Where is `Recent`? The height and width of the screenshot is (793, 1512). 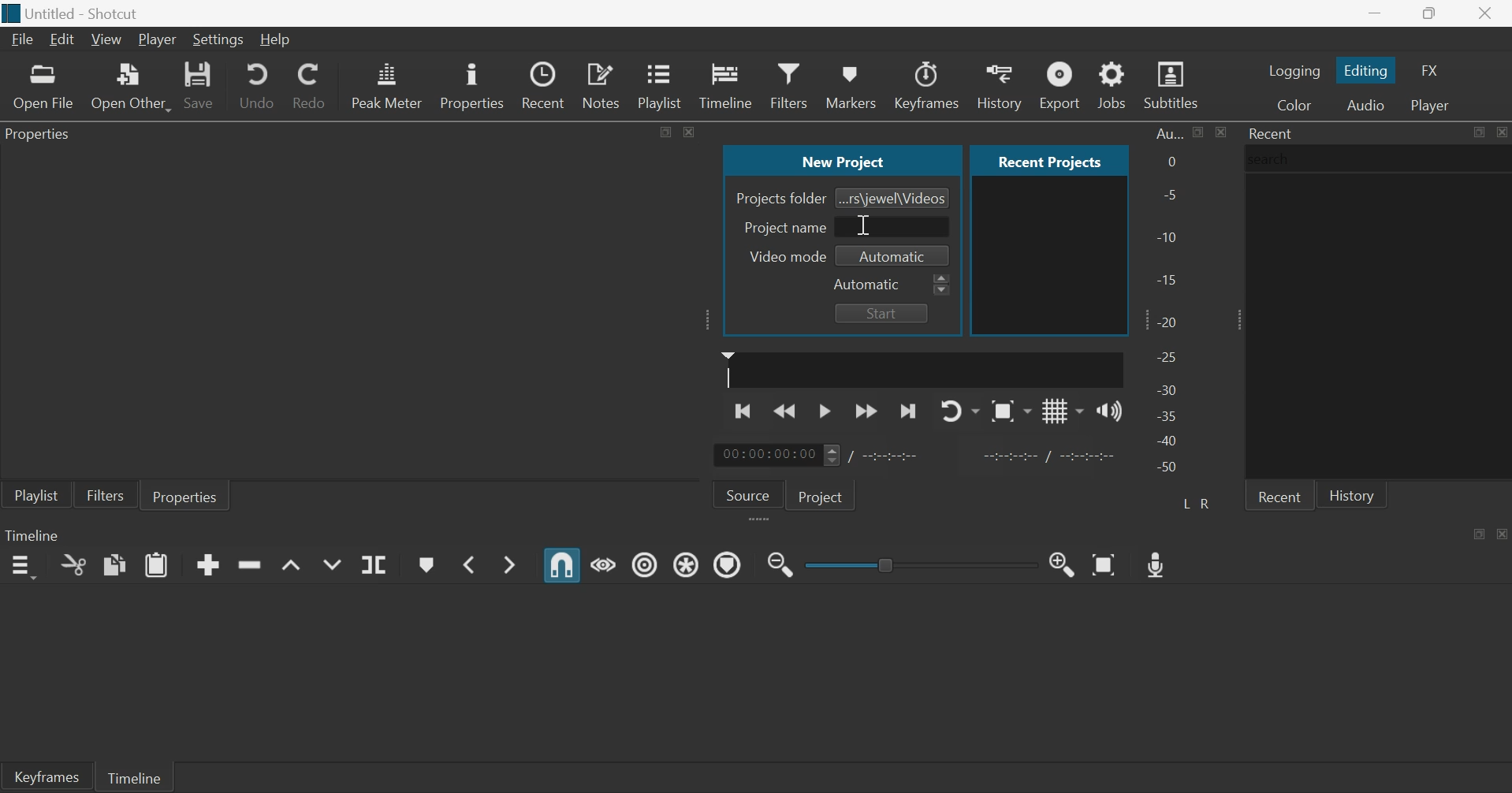
Recent is located at coordinates (546, 85).